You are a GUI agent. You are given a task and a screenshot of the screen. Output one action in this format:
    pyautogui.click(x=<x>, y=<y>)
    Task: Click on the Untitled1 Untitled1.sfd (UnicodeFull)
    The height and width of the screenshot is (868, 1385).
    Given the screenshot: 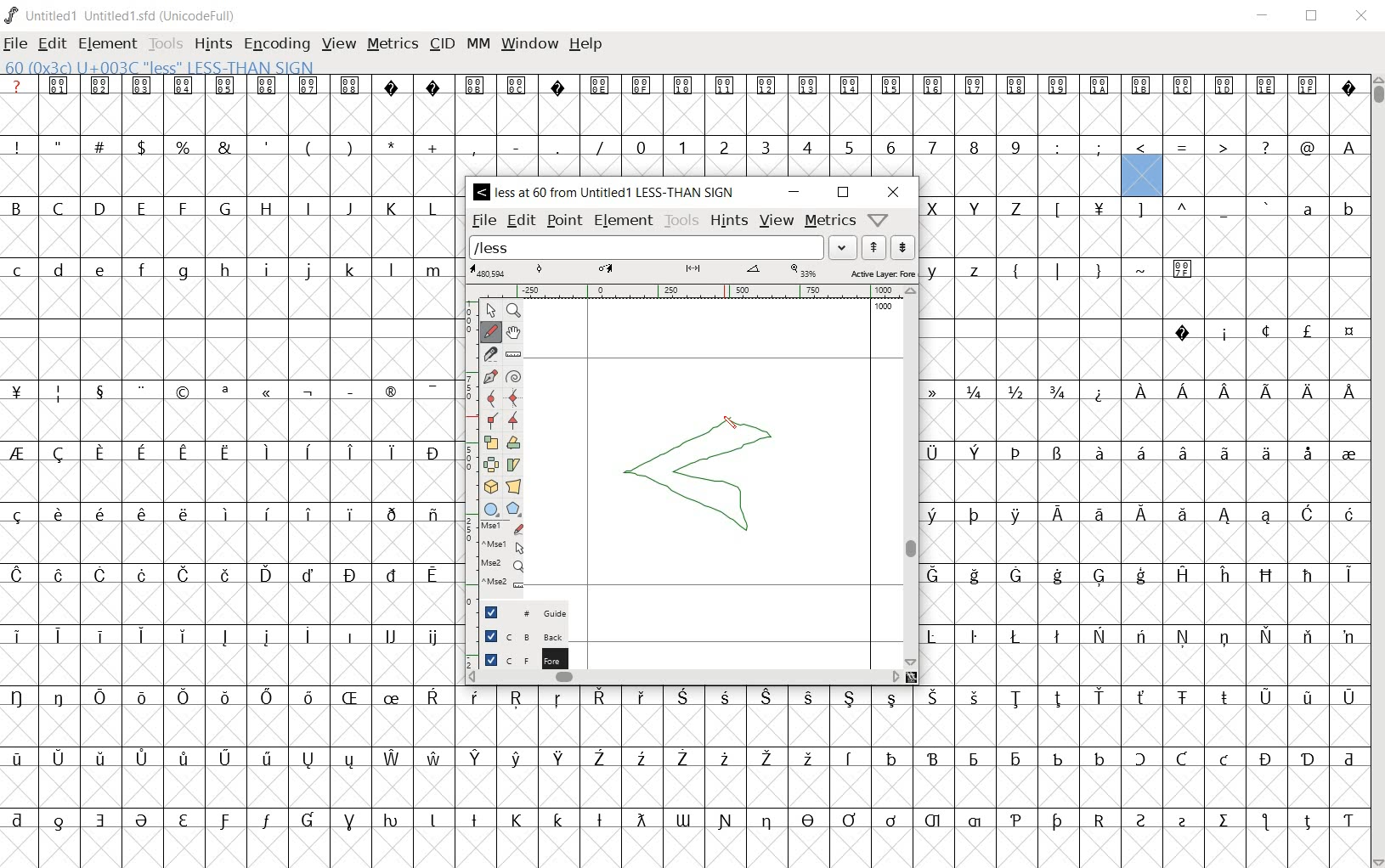 What is the action you would take?
    pyautogui.click(x=124, y=15)
    